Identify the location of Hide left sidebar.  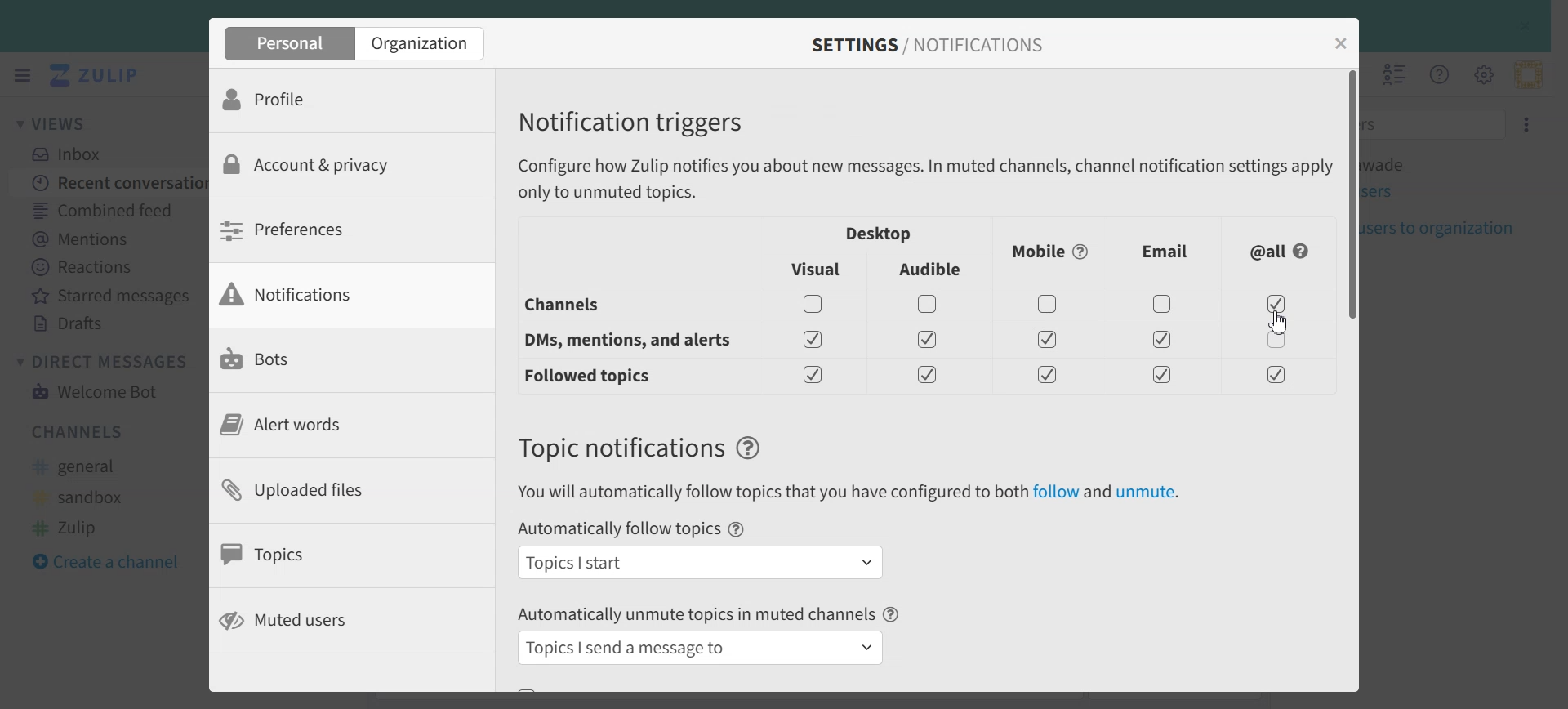
(22, 75).